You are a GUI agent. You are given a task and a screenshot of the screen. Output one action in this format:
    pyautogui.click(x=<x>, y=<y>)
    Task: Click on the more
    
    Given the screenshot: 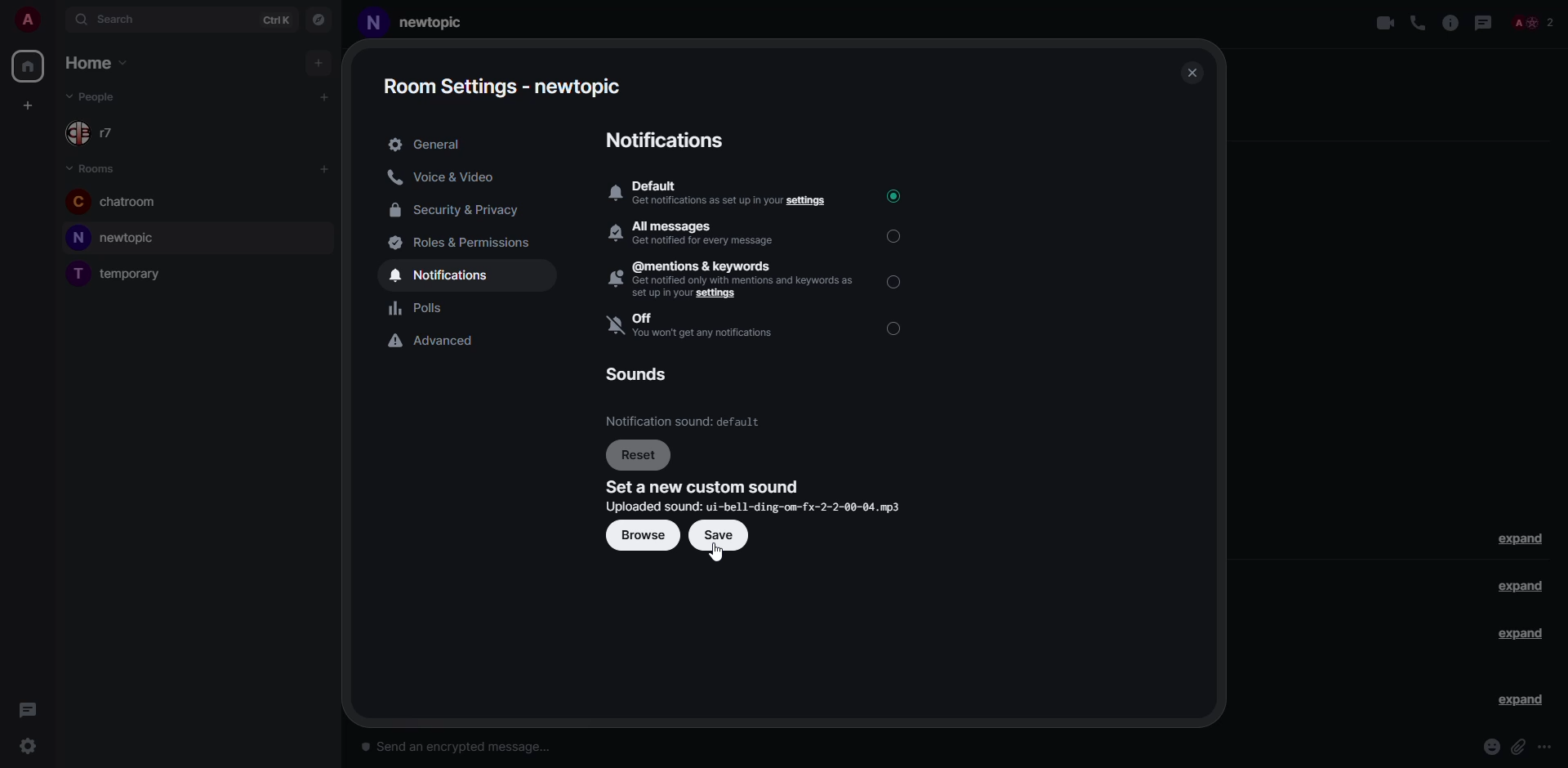 What is the action you would take?
    pyautogui.click(x=1547, y=748)
    